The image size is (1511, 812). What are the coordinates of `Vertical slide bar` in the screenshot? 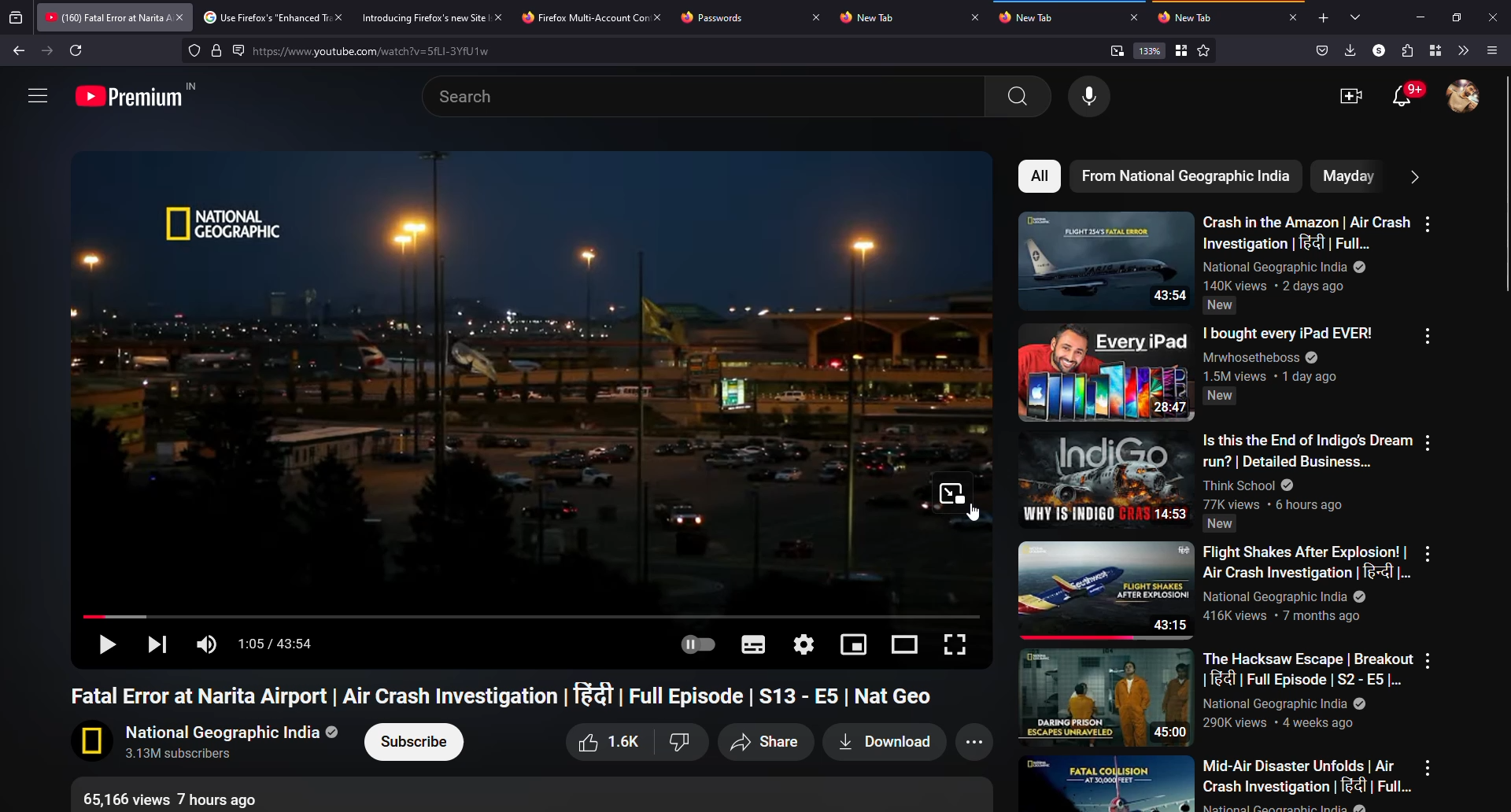 It's located at (1508, 183).